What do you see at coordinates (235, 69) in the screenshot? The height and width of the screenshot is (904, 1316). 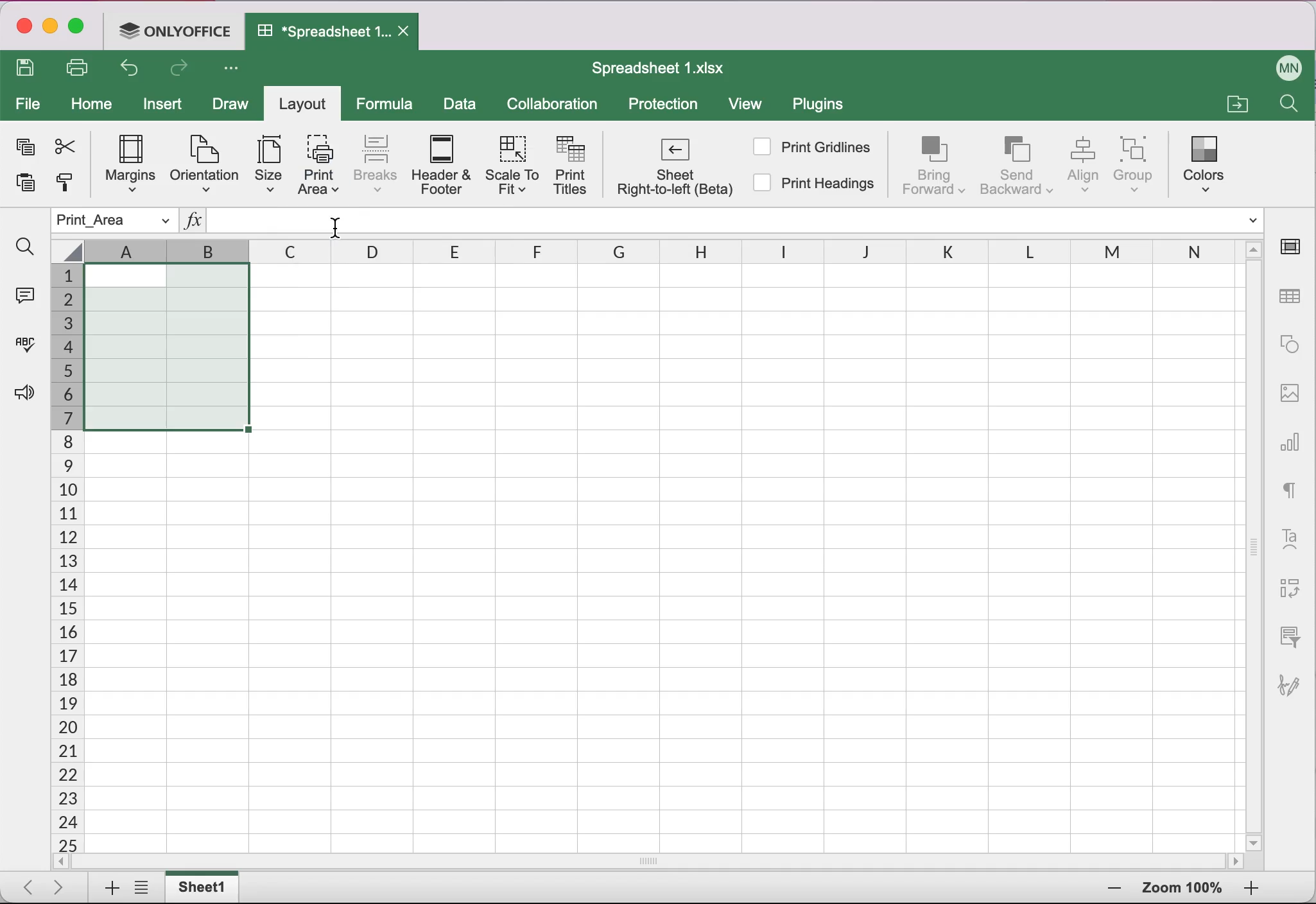 I see `customize quick access toolbar` at bounding box center [235, 69].